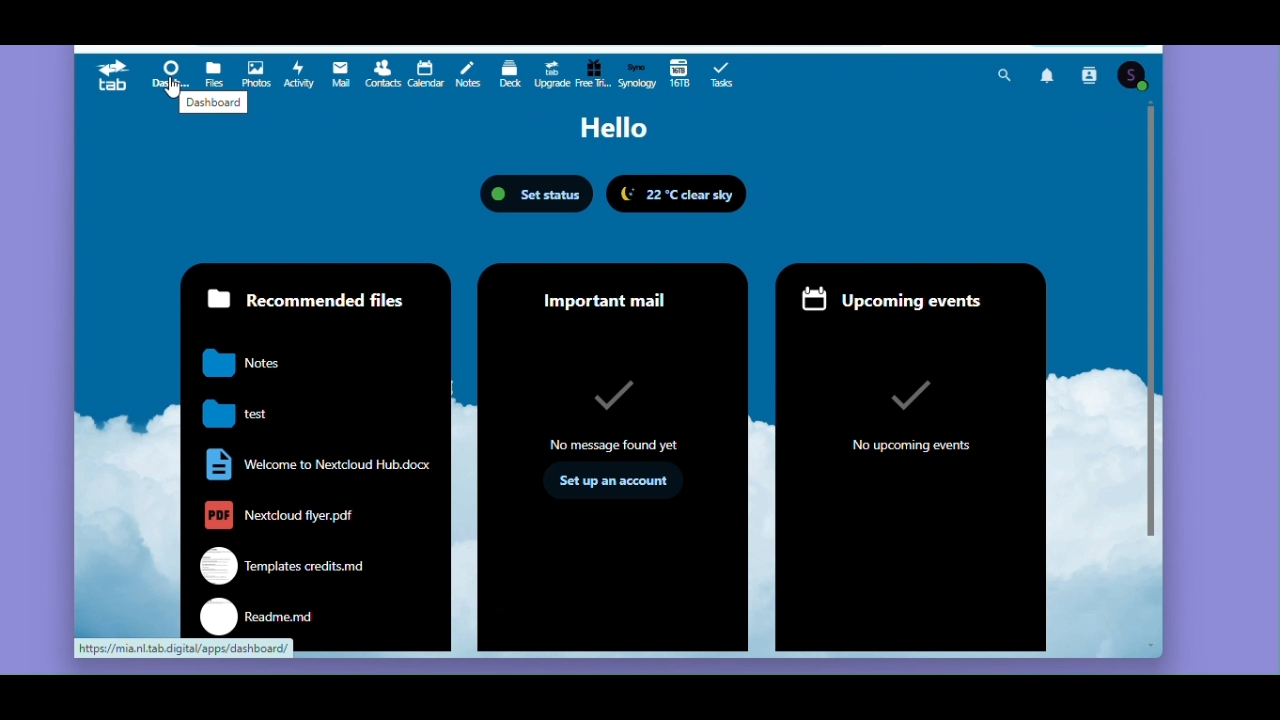 The height and width of the screenshot is (720, 1280). What do you see at coordinates (680, 193) in the screenshot?
I see `22 degree Celsius clear Sky` at bounding box center [680, 193].